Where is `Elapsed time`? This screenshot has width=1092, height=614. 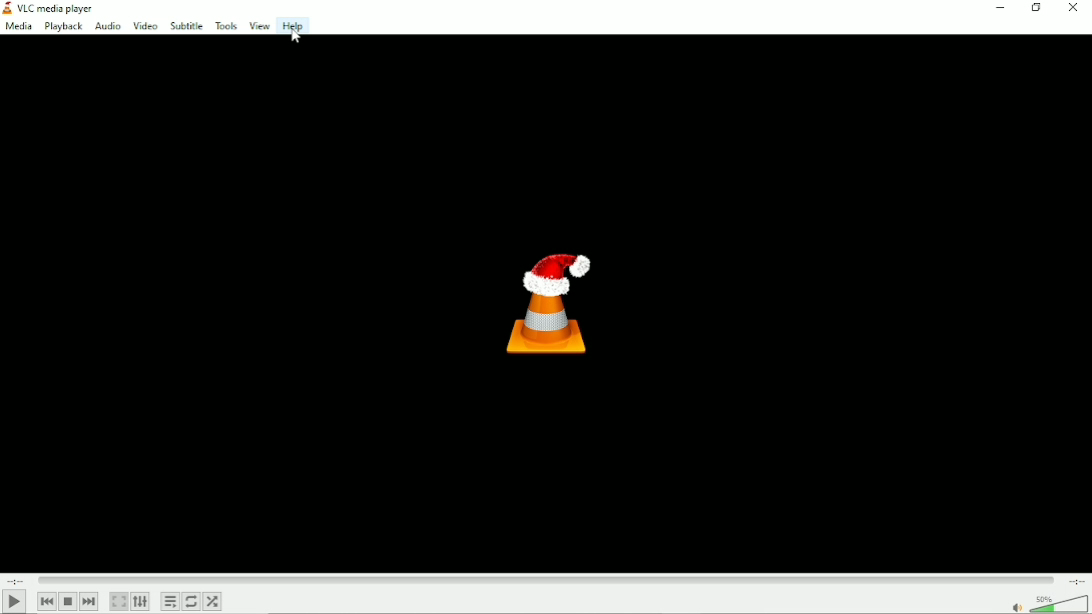
Elapsed time is located at coordinates (15, 580).